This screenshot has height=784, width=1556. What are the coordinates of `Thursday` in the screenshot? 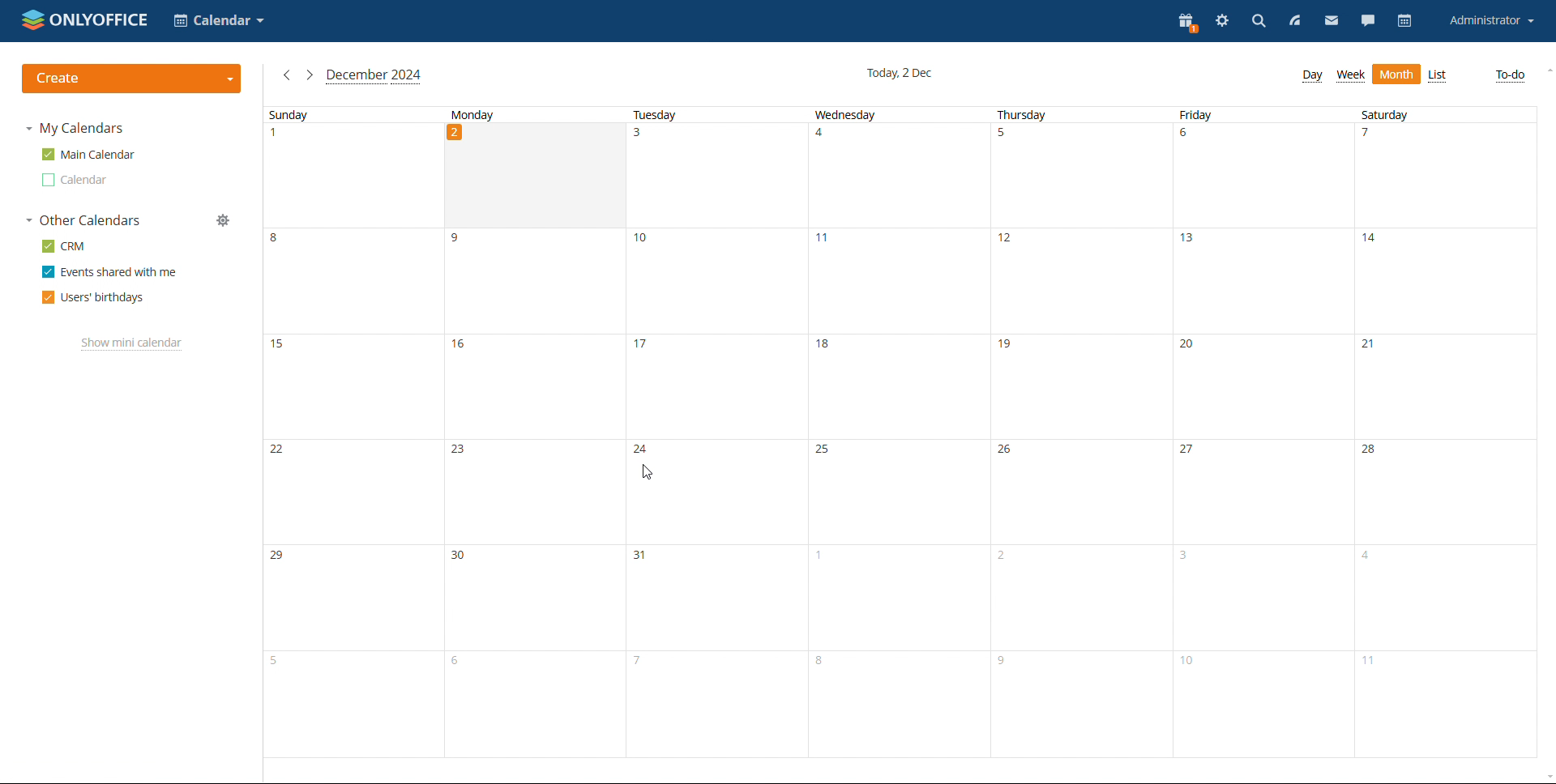 It's located at (1024, 115).